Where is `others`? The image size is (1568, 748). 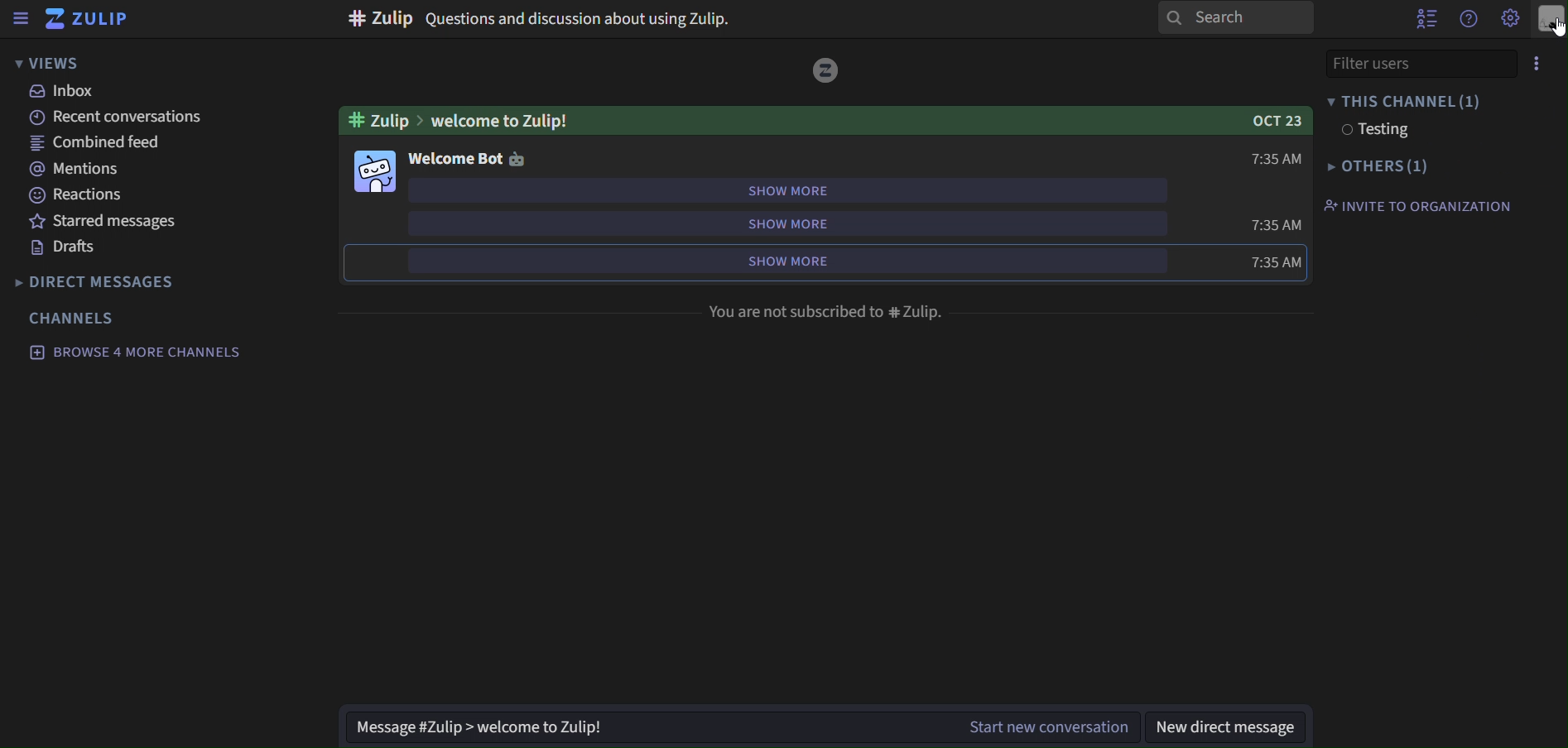
others is located at coordinates (1381, 168).